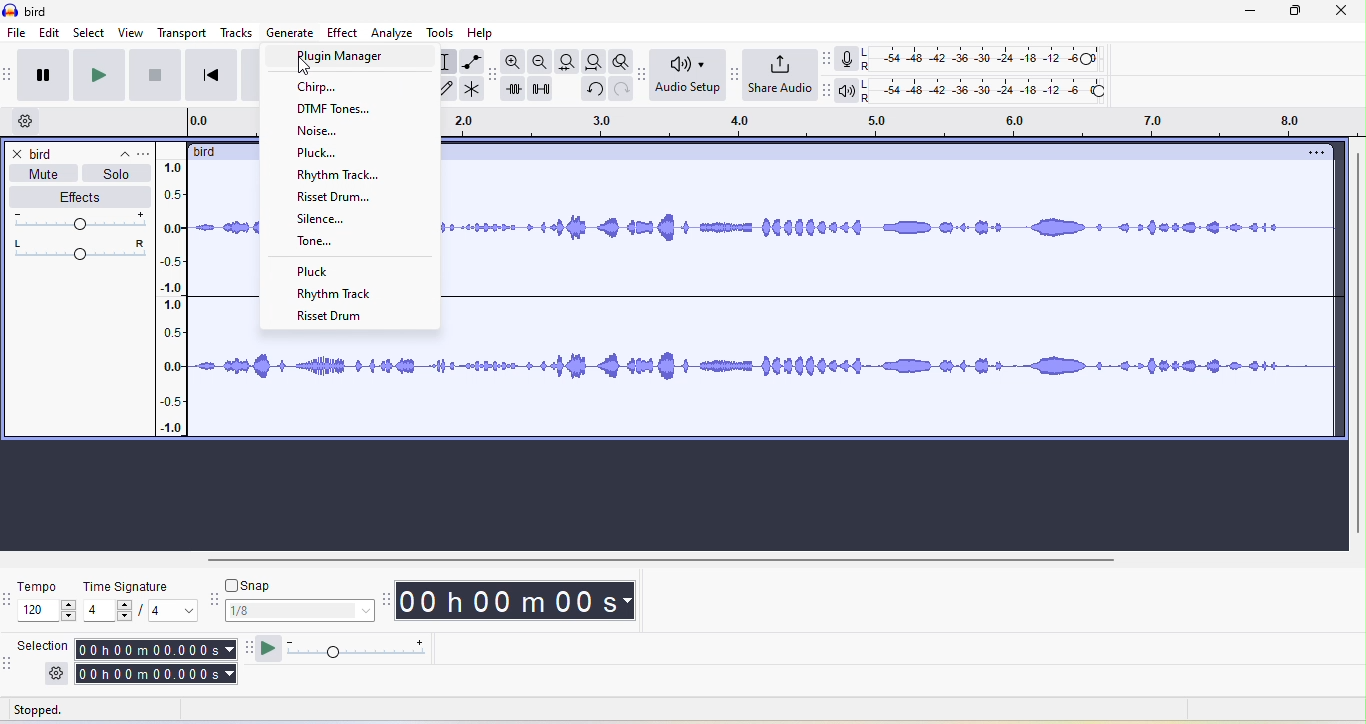 This screenshot has width=1366, height=724. I want to click on audacity playback meter toolbar, so click(830, 94).